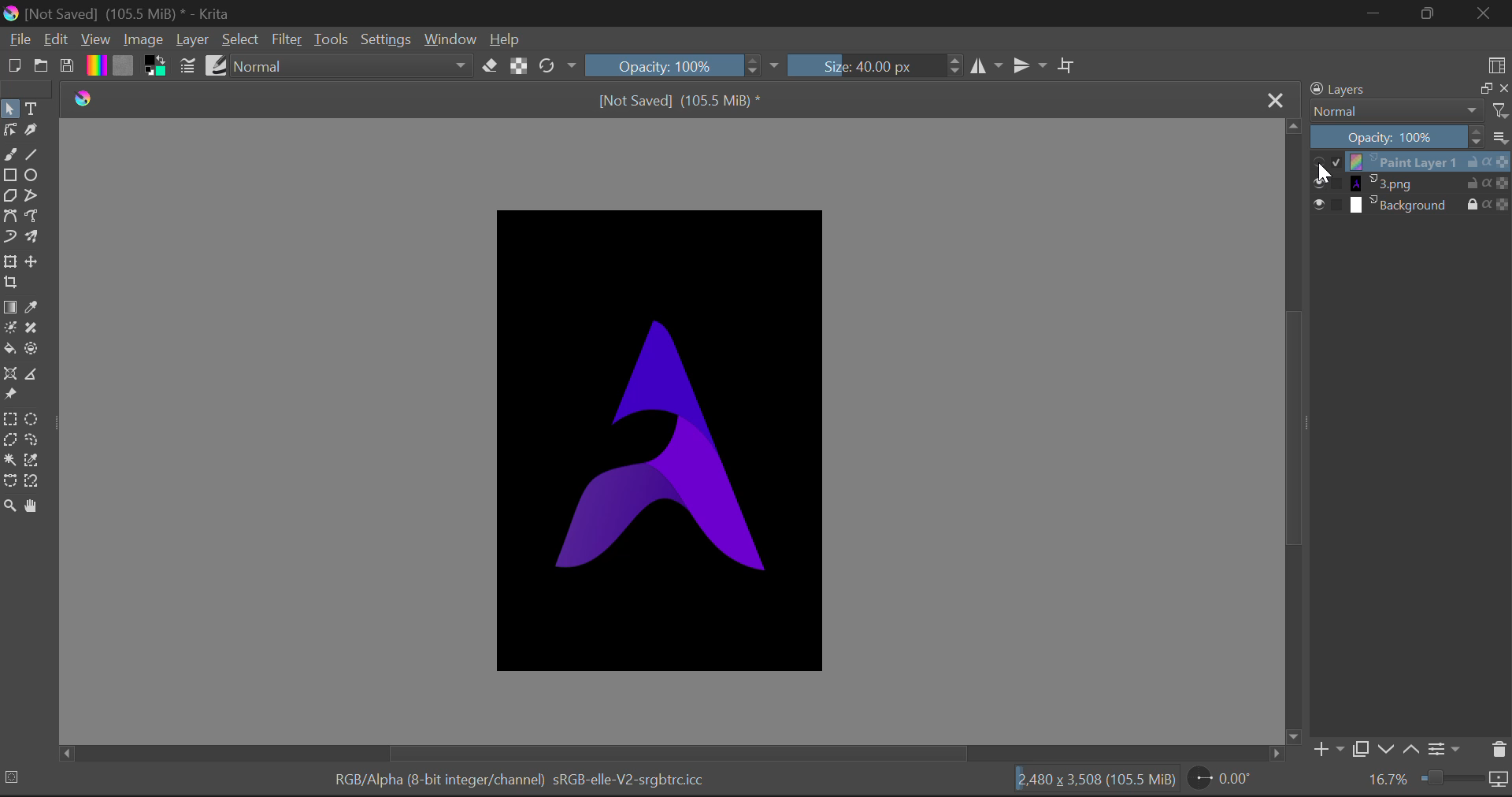  What do you see at coordinates (1503, 205) in the screenshot?
I see `Transparency ` at bounding box center [1503, 205].